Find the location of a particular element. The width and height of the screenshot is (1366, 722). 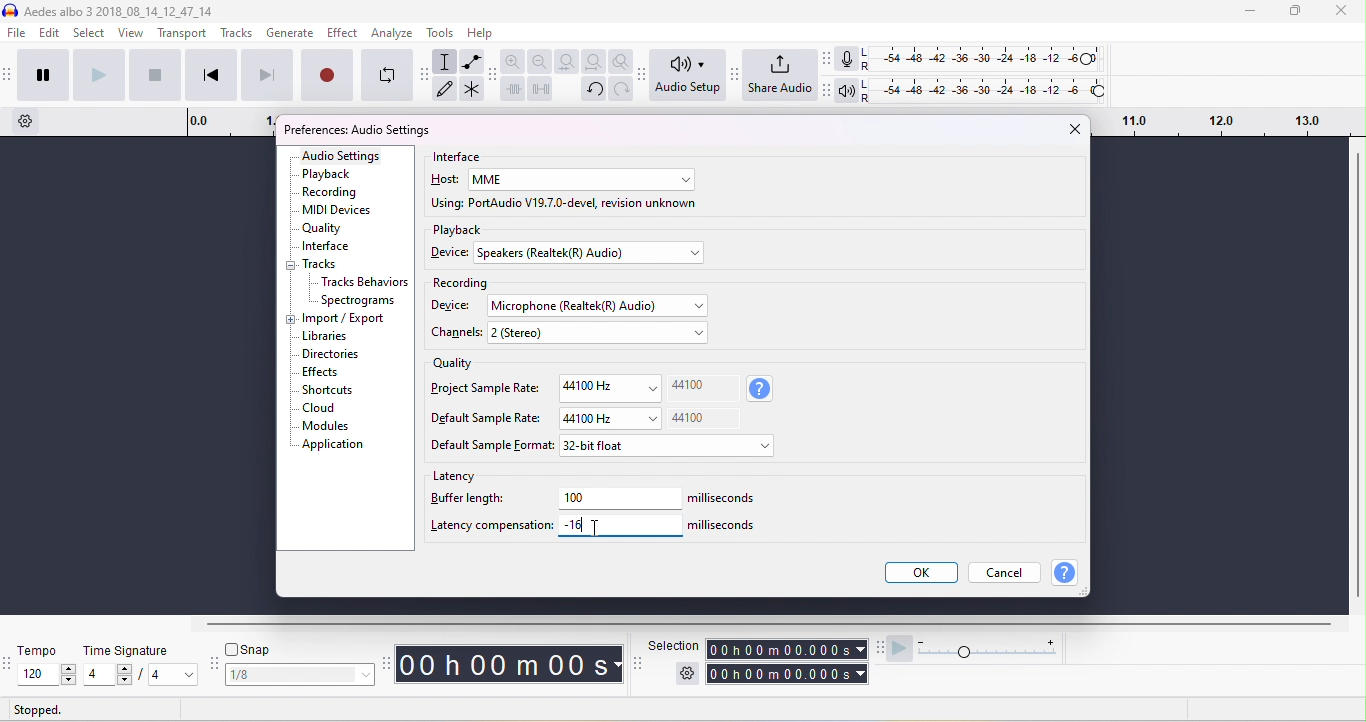

shortcuts is located at coordinates (327, 390).